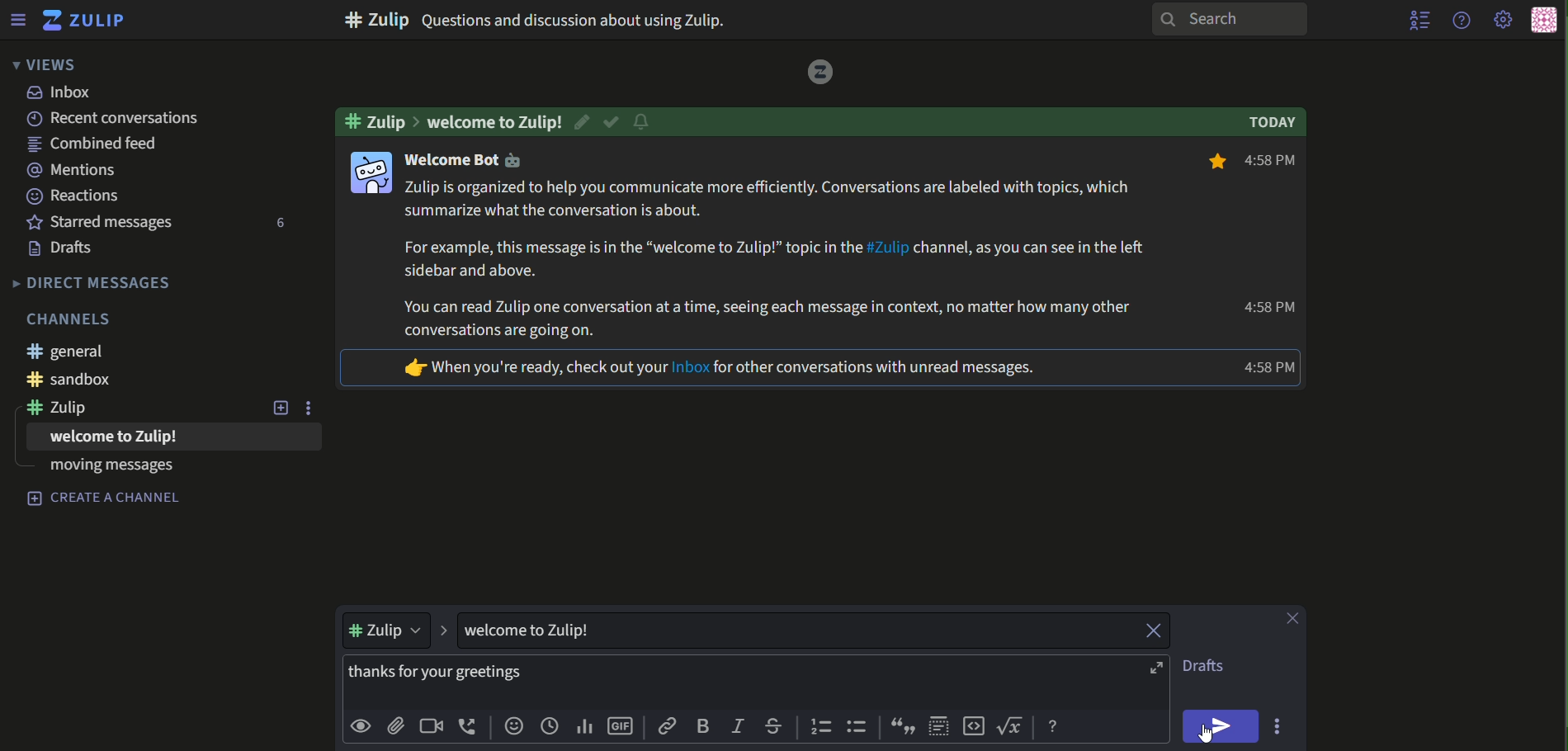  What do you see at coordinates (360, 727) in the screenshot?
I see `preview` at bounding box center [360, 727].